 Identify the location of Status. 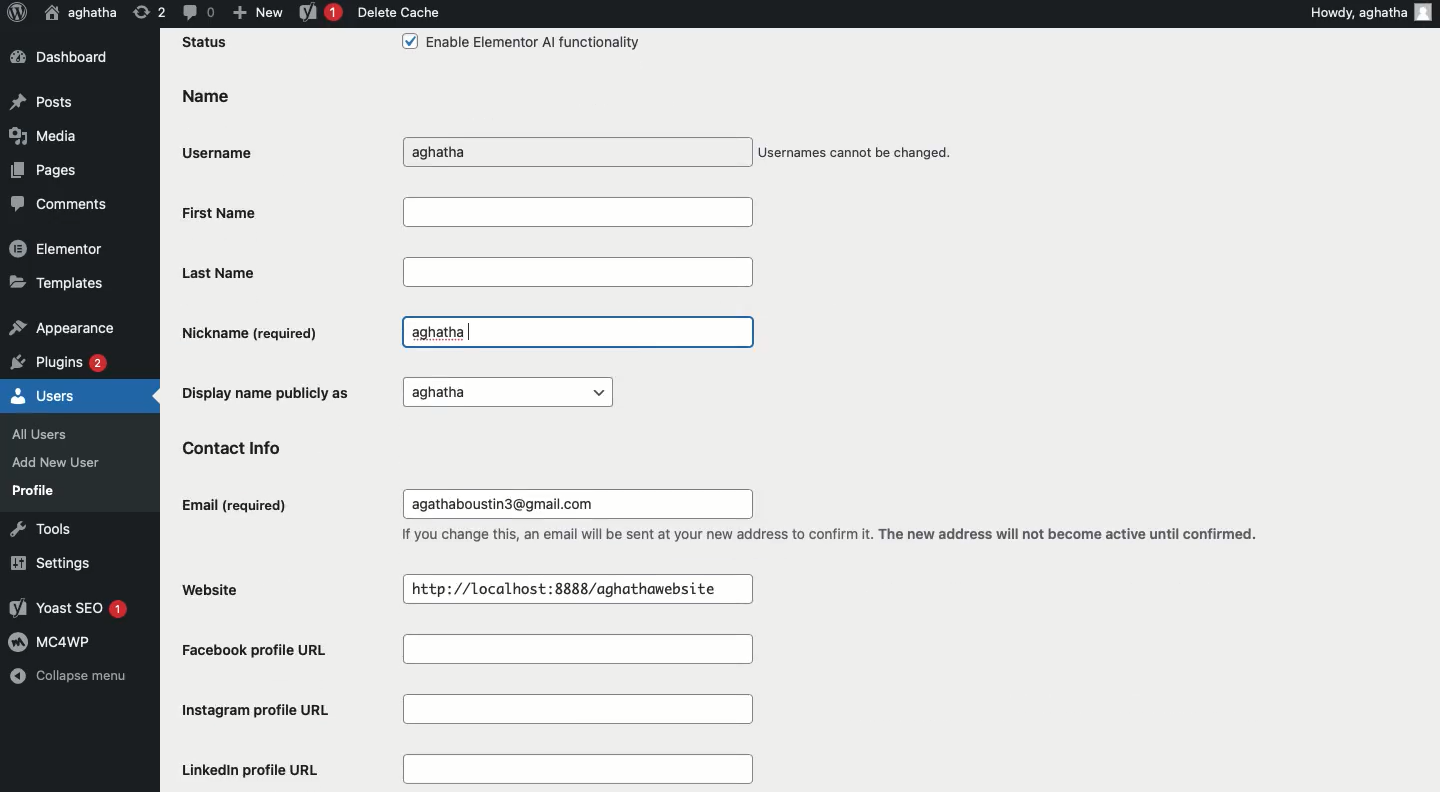
(206, 43).